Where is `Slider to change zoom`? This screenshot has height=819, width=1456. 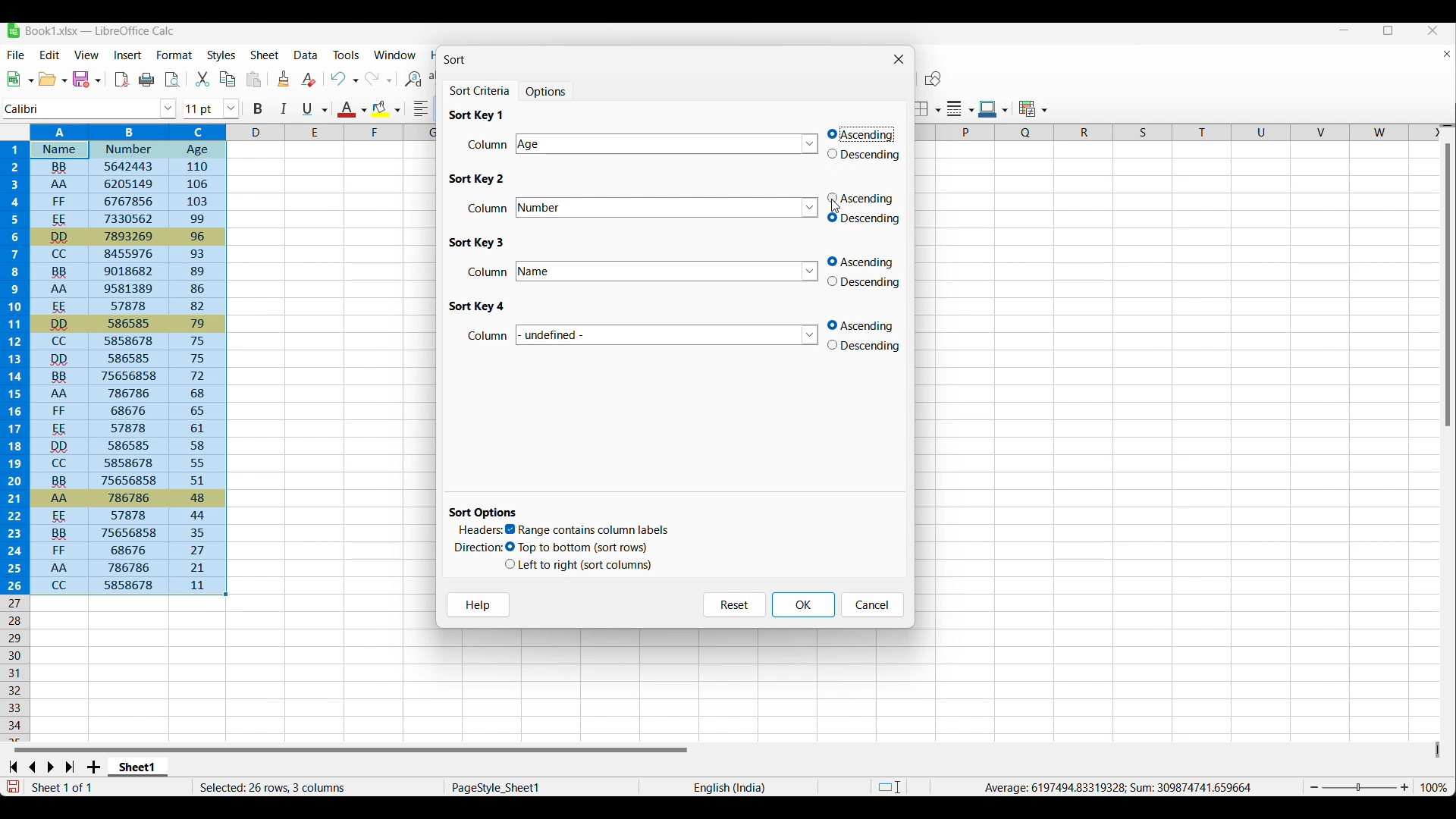 Slider to change zoom is located at coordinates (1359, 788).